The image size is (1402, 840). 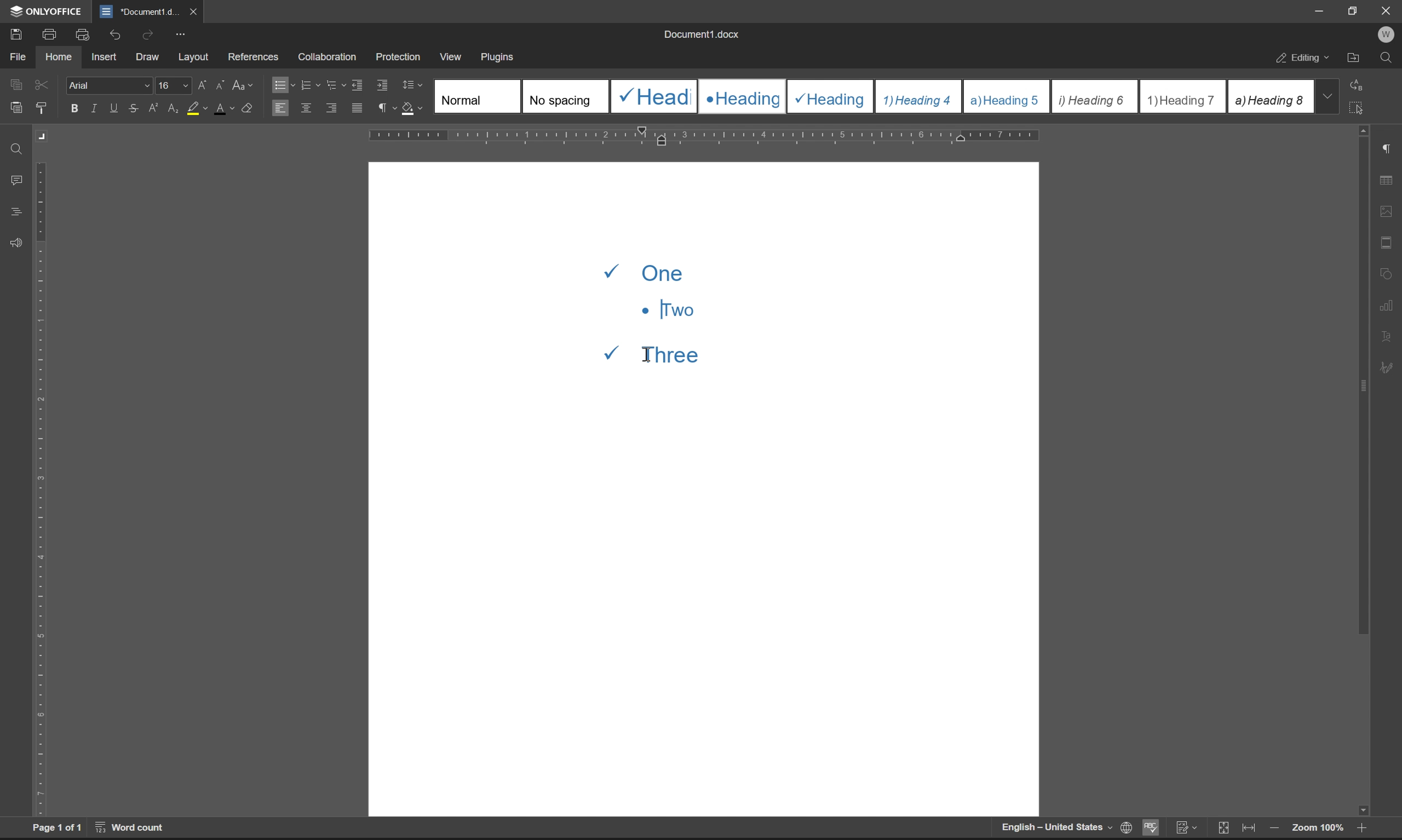 What do you see at coordinates (104, 56) in the screenshot?
I see `insert` at bounding box center [104, 56].